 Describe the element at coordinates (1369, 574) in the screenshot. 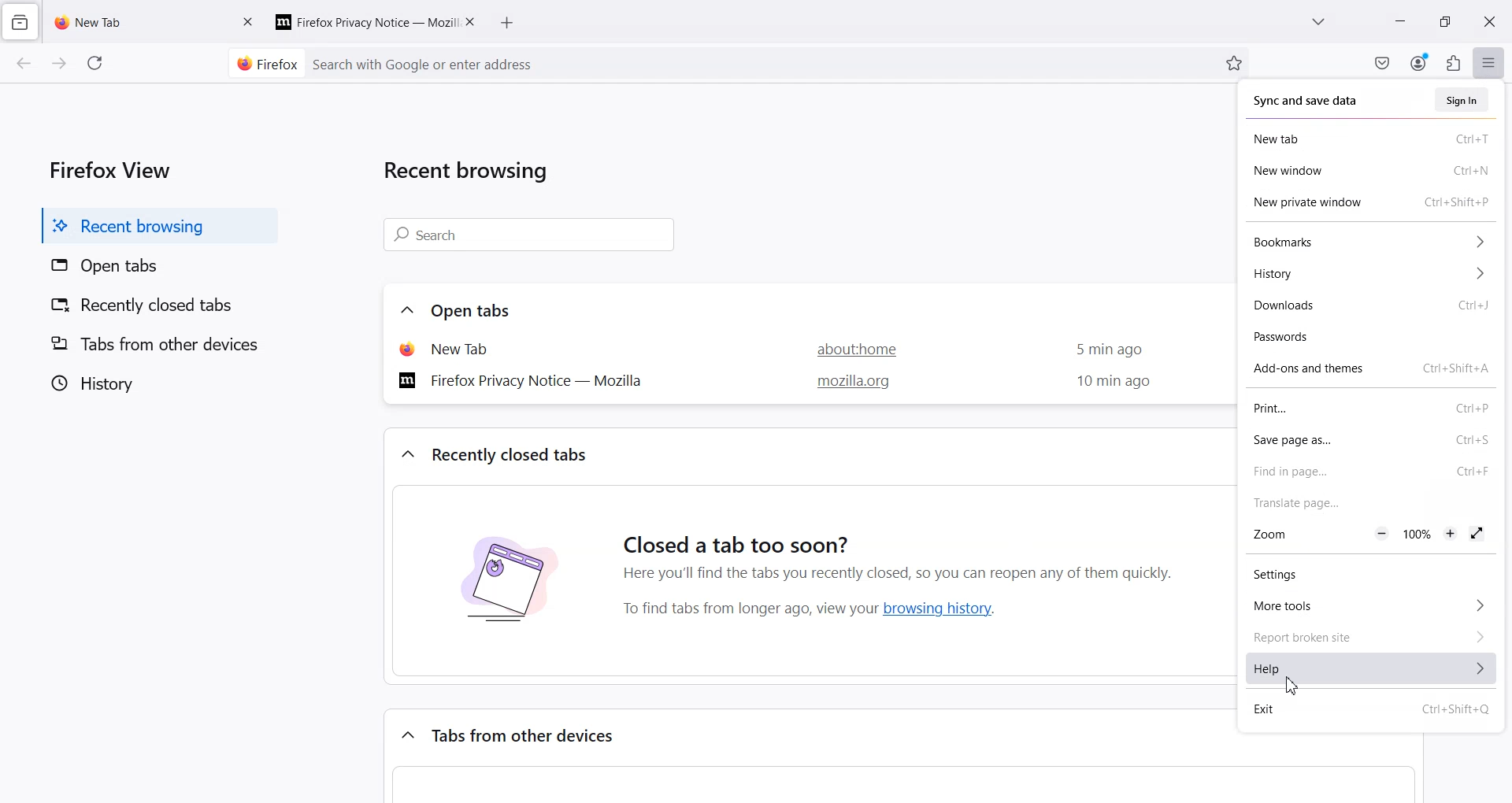

I see `Settings` at that location.